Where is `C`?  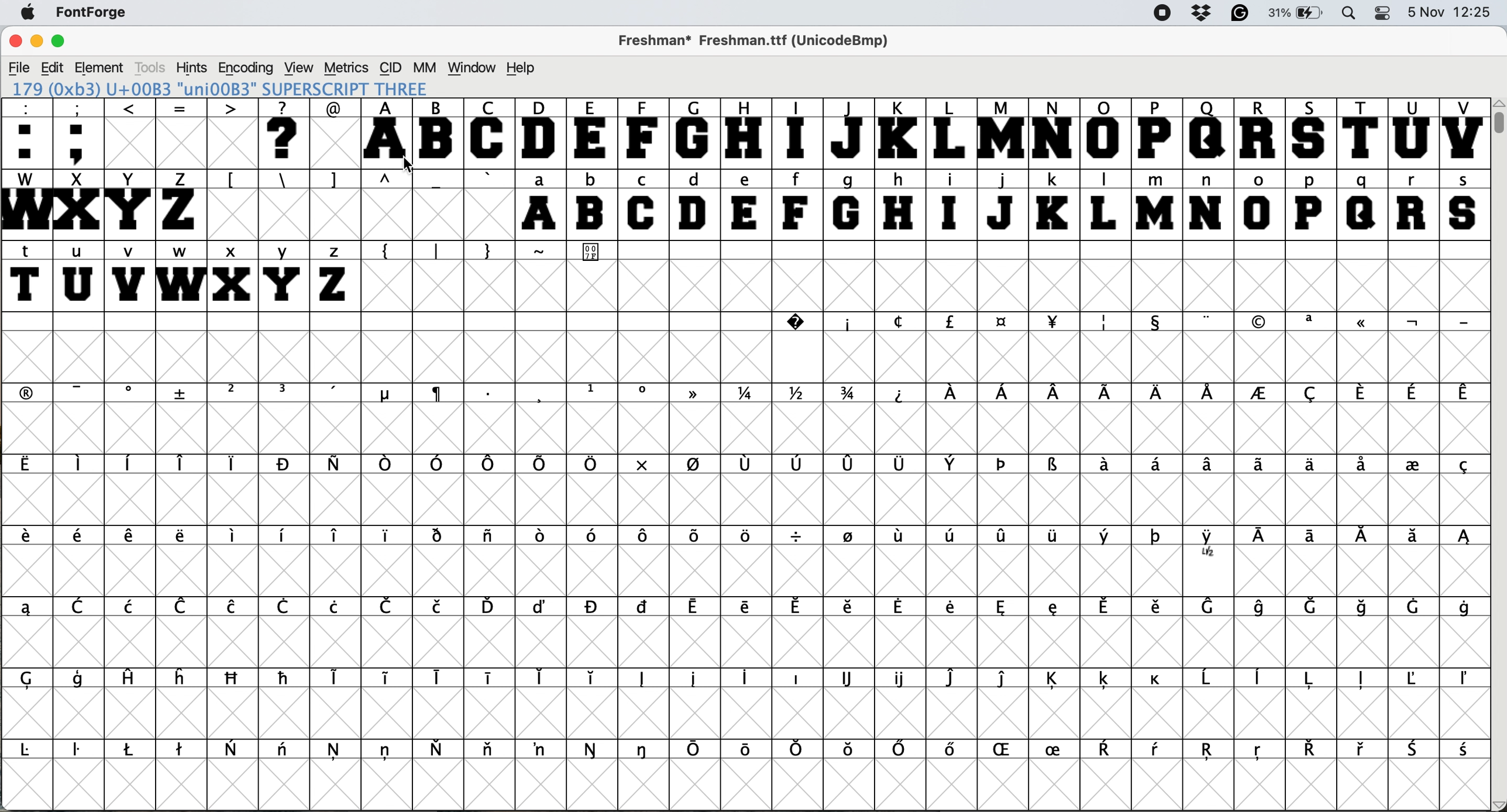
C is located at coordinates (490, 133).